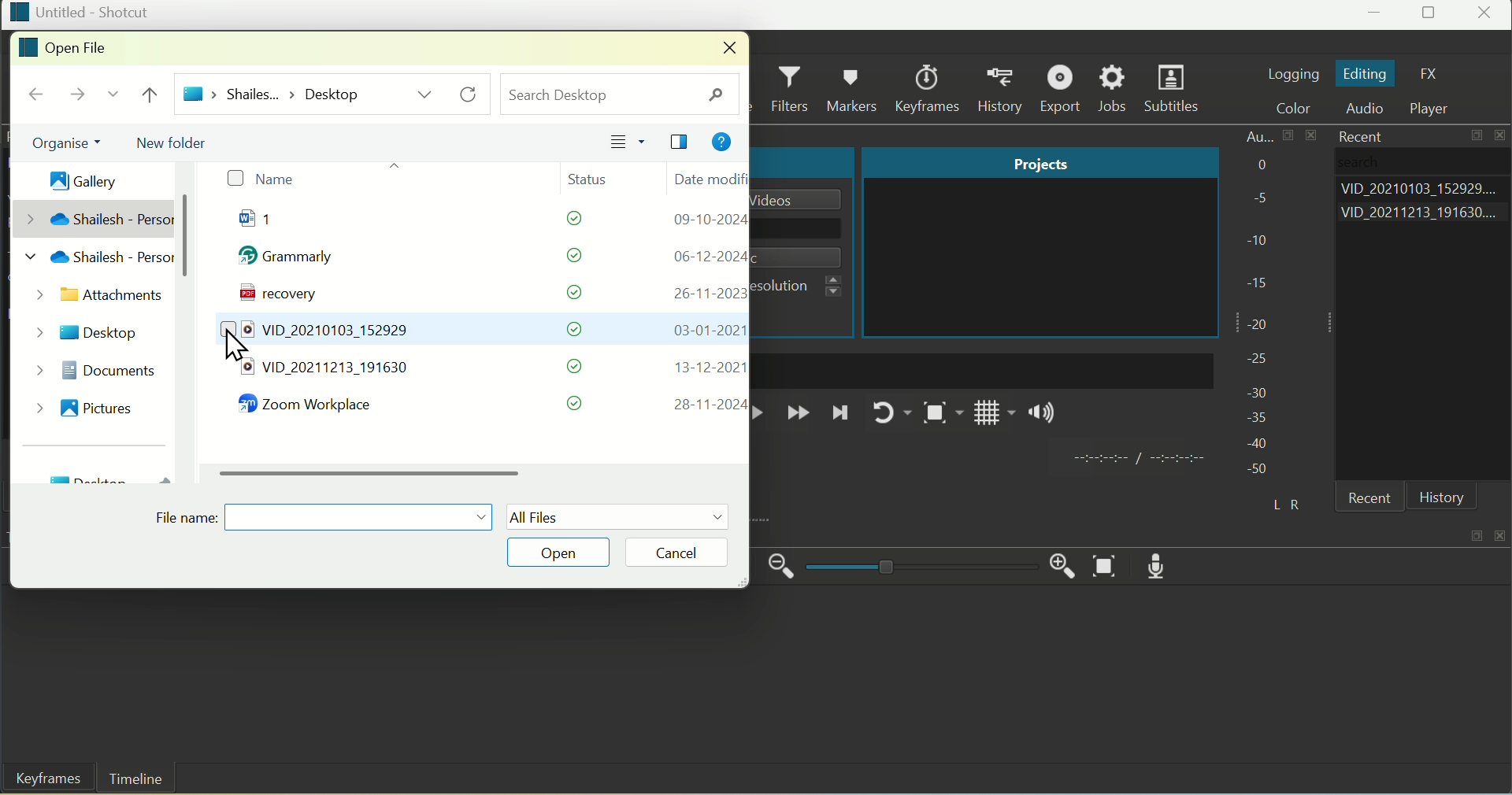 The image size is (1512, 795). I want to click on Keyframes, so click(43, 780).